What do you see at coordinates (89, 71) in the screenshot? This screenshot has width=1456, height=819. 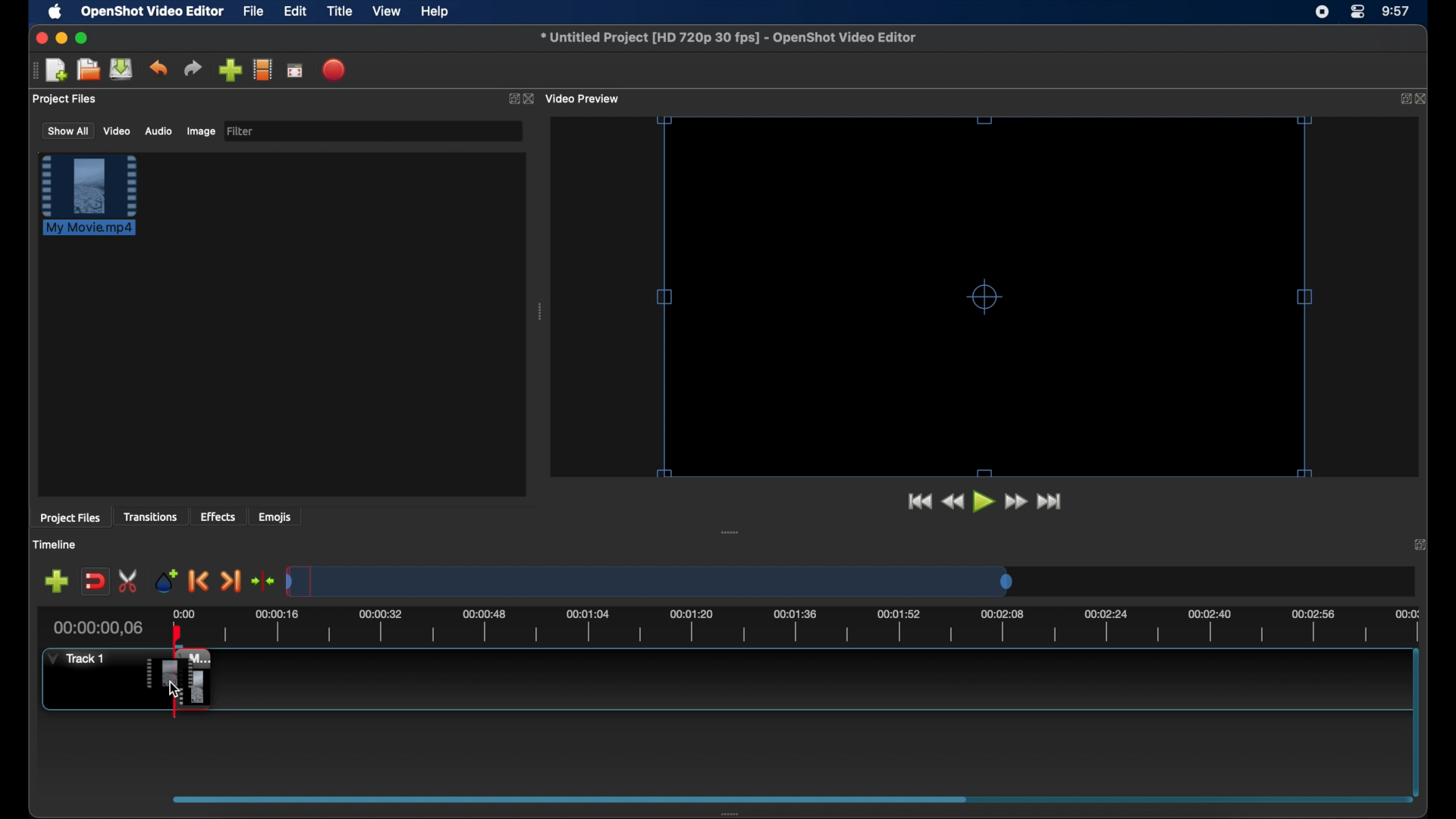 I see `open files` at bounding box center [89, 71].